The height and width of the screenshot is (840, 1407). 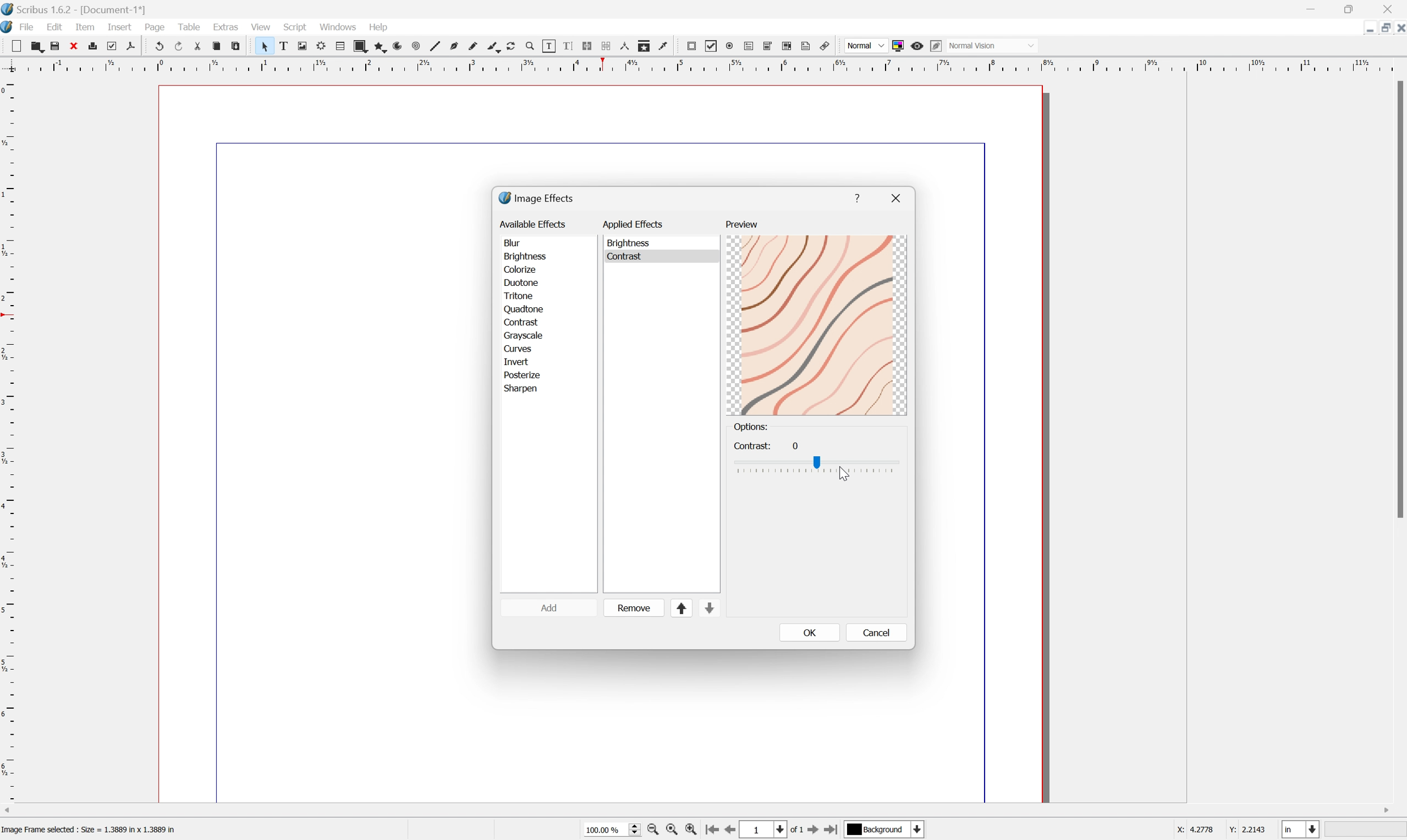 I want to click on New, so click(x=12, y=44).